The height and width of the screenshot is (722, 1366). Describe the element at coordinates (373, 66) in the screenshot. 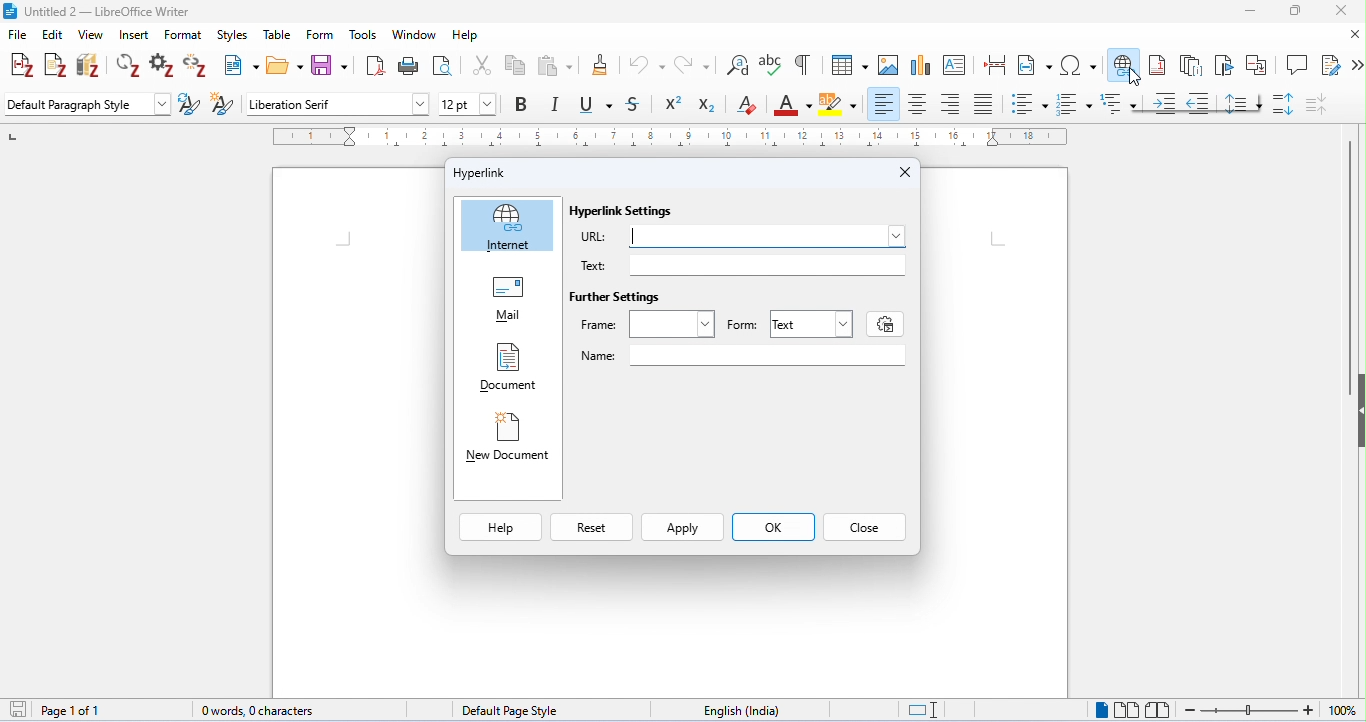

I see `export as pdf` at that location.